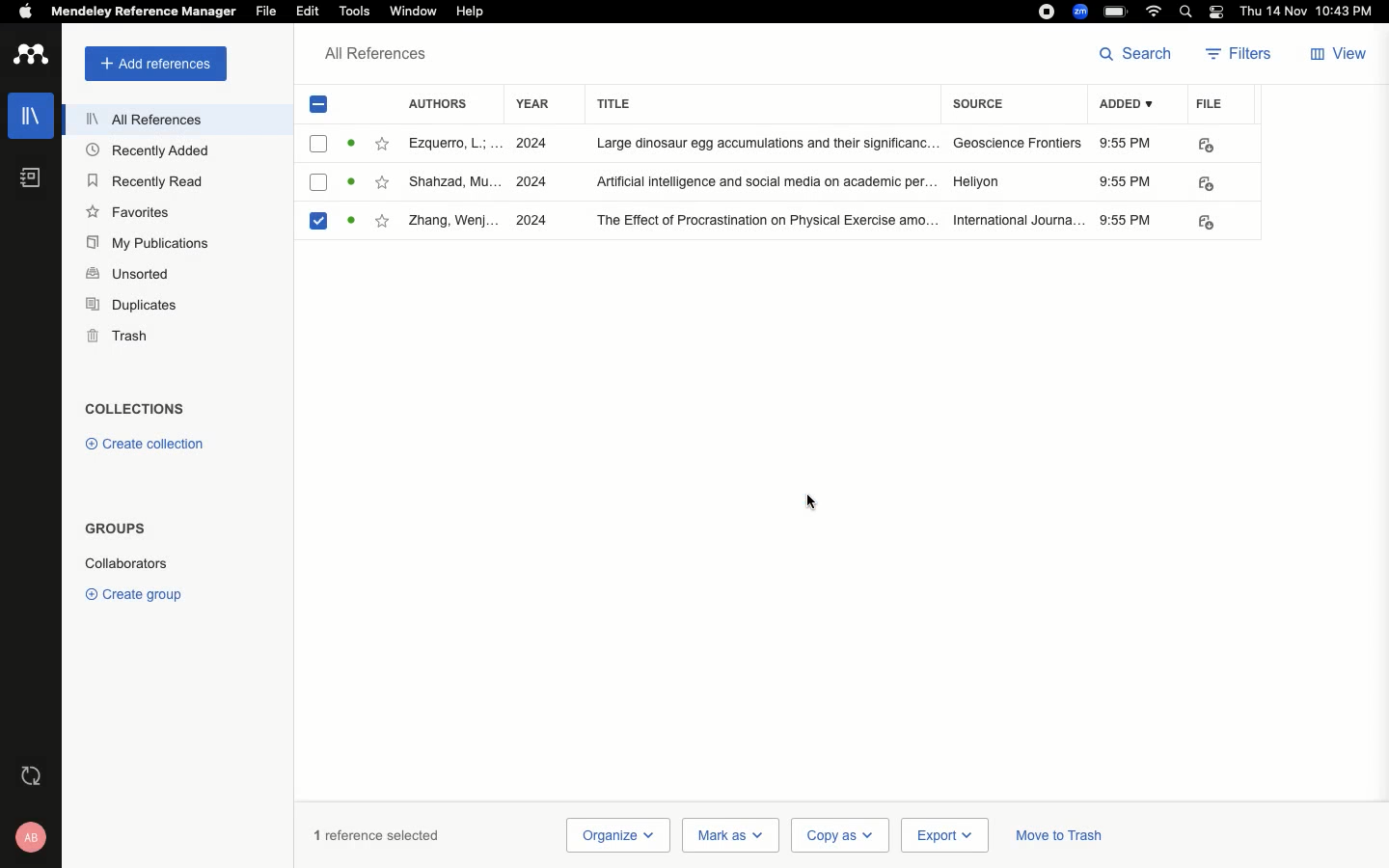  Describe the element at coordinates (152, 244) in the screenshot. I see `My publications` at that location.